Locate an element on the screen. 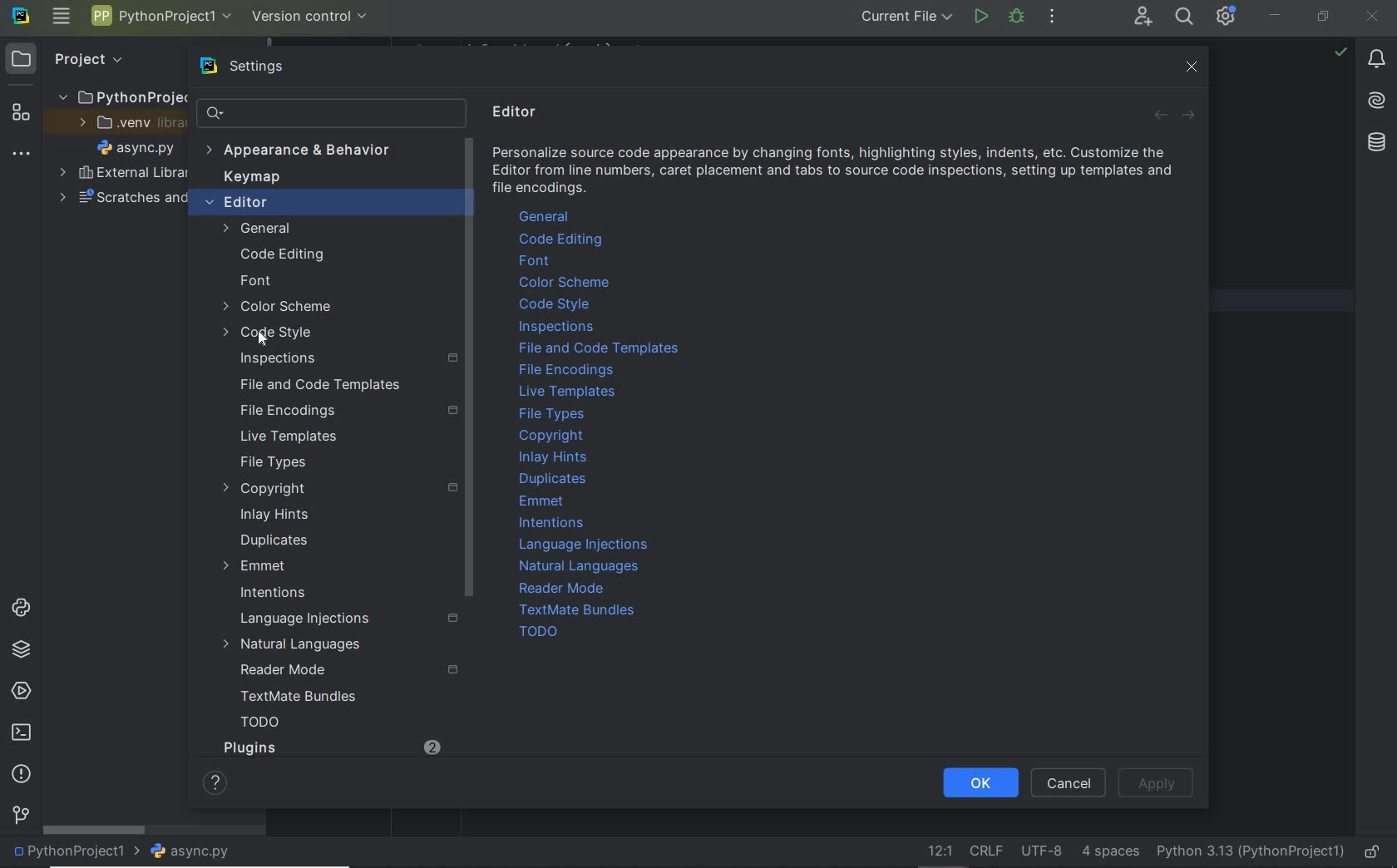 The image size is (1397, 868). intentions is located at coordinates (554, 522).